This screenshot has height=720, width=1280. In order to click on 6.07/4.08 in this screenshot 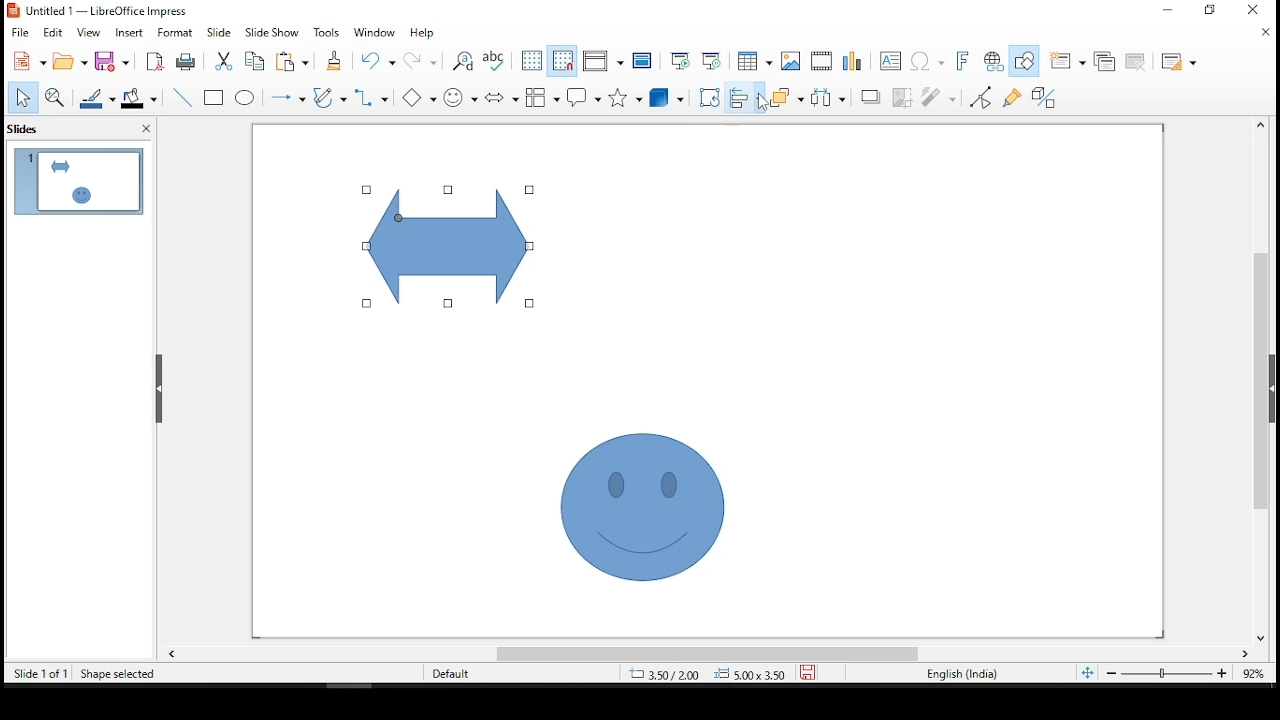, I will do `click(665, 674)`.